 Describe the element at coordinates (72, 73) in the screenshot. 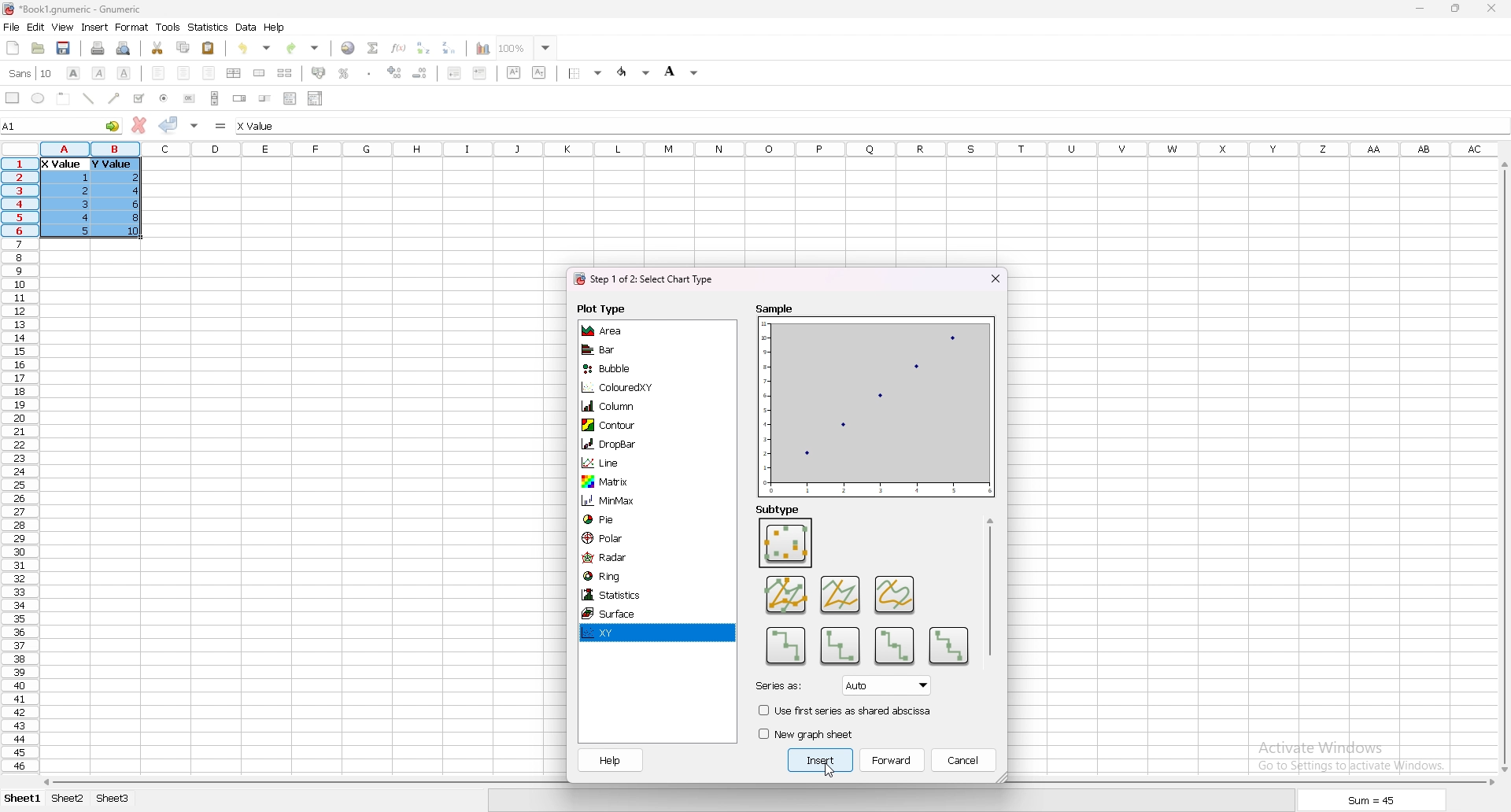

I see `bold` at that location.